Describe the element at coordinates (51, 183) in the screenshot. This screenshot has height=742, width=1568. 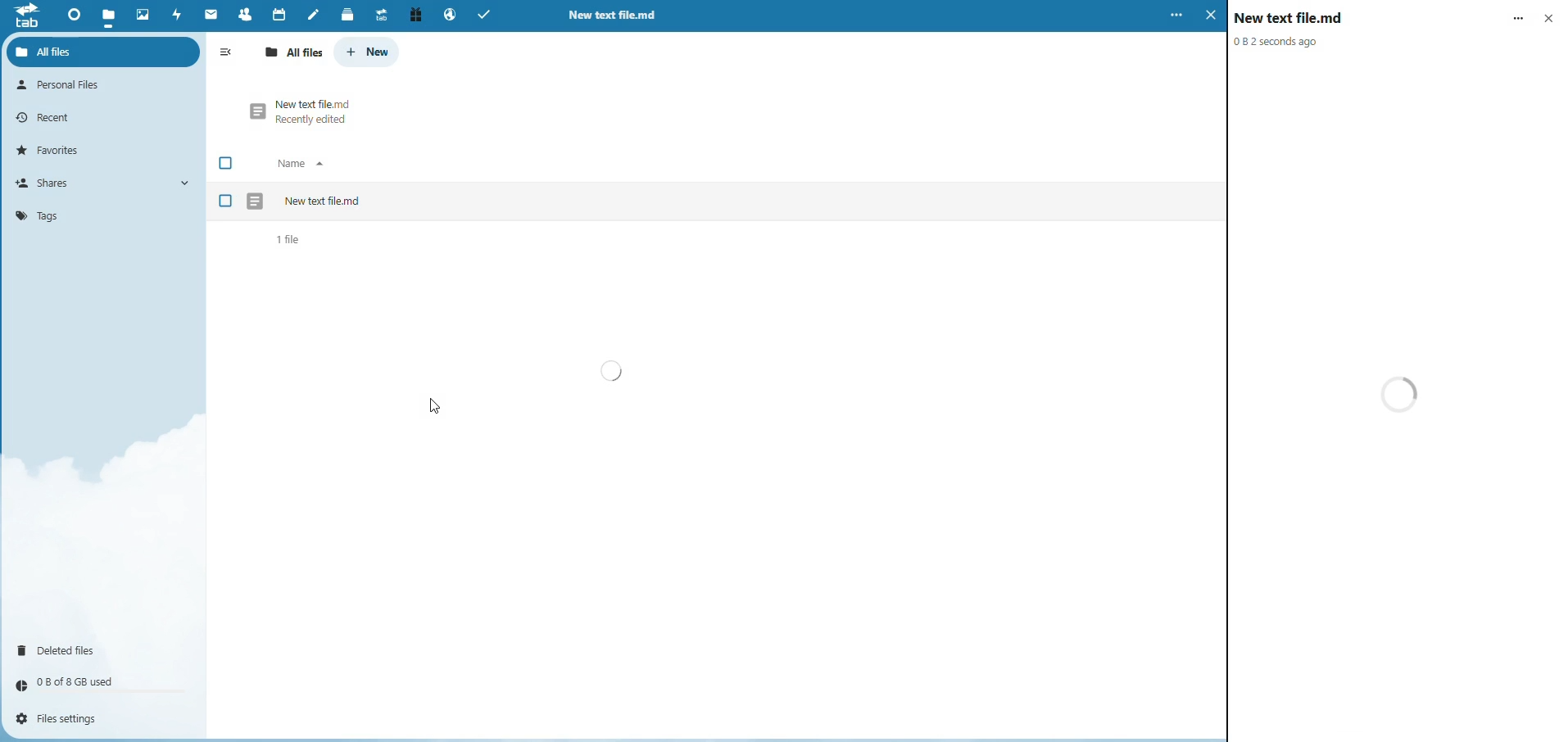
I see `Shares` at that location.